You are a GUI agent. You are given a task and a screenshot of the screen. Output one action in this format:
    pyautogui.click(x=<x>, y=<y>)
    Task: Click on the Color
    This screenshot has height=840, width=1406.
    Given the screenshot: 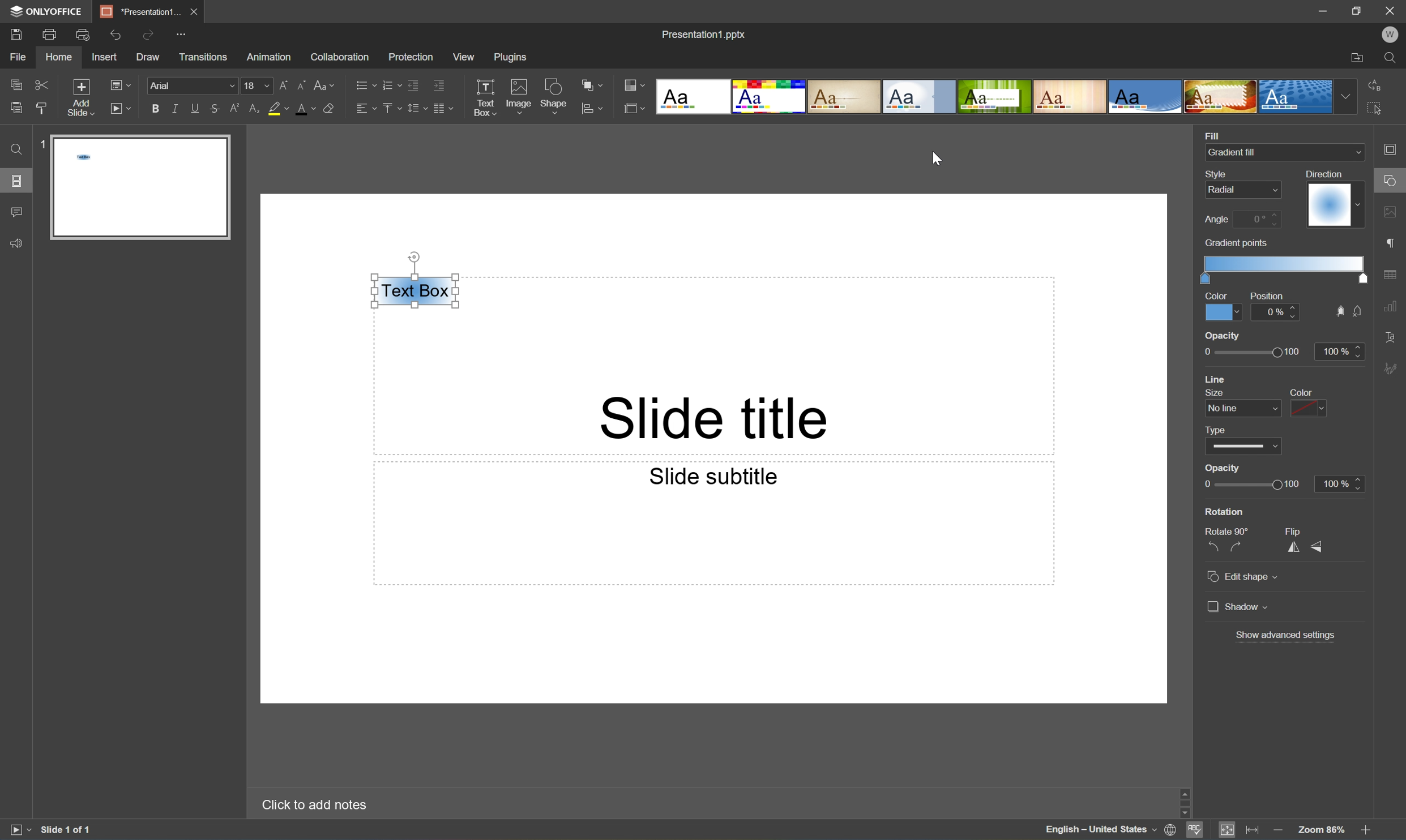 What is the action you would take?
    pyautogui.click(x=1313, y=410)
    